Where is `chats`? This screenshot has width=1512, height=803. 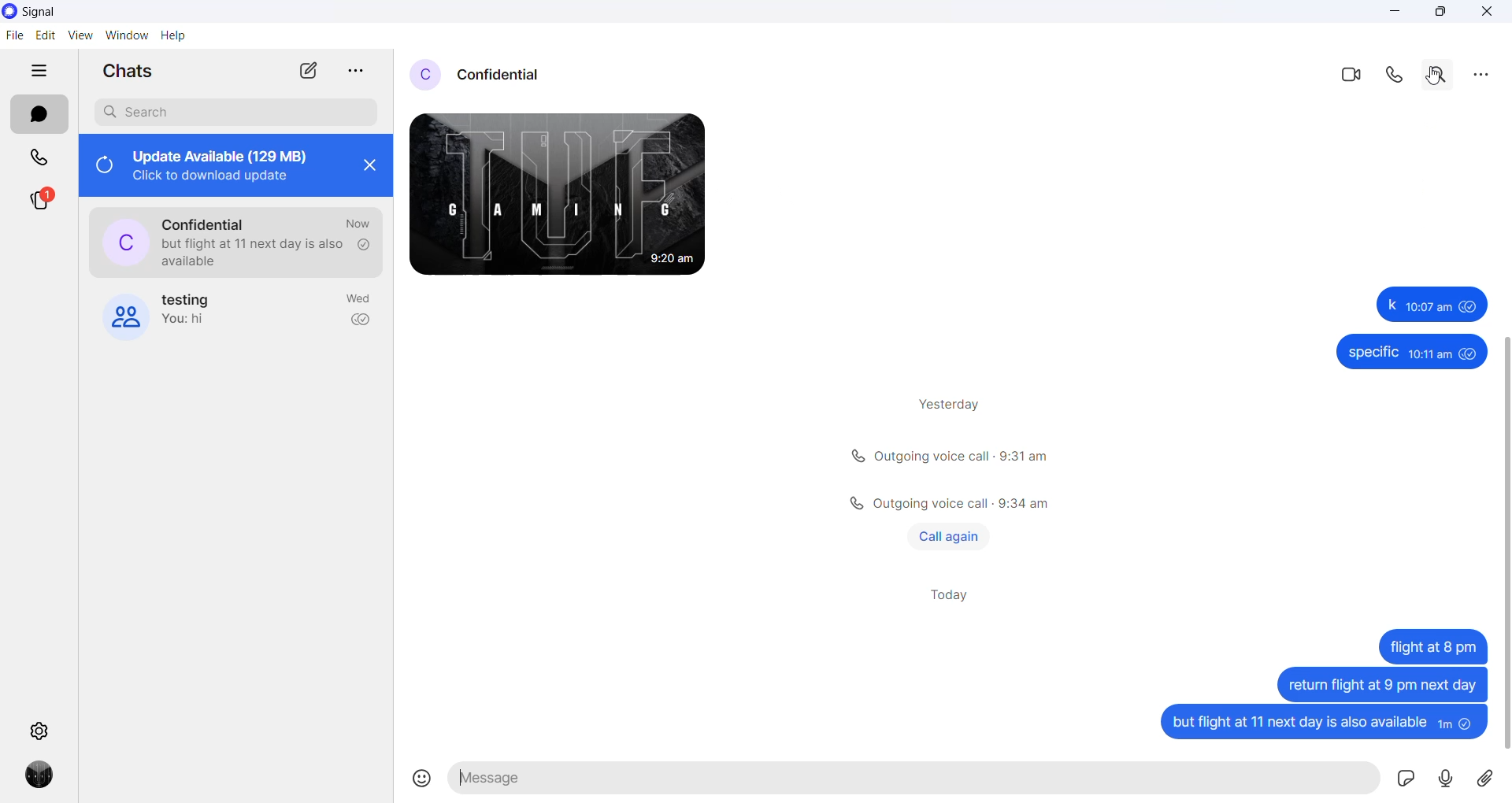
chats is located at coordinates (39, 114).